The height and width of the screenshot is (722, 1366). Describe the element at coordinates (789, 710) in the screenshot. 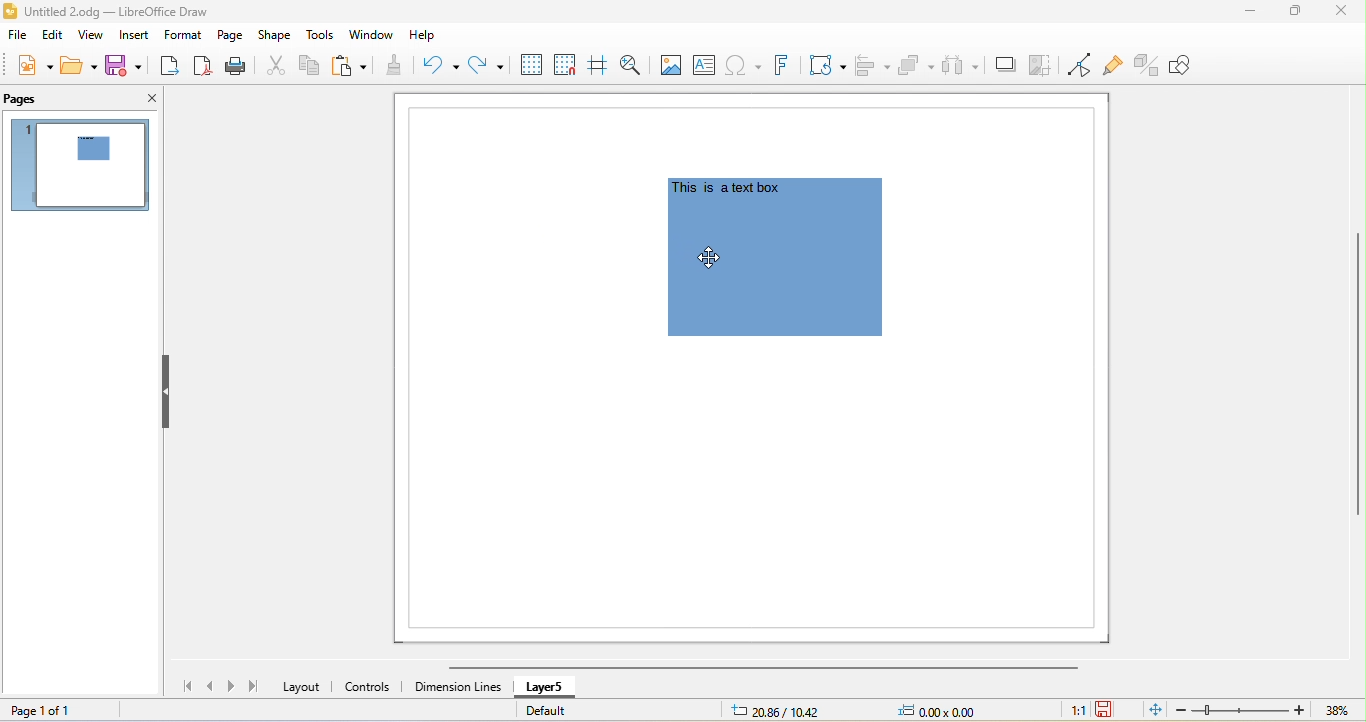

I see `20.86/10.42` at that location.